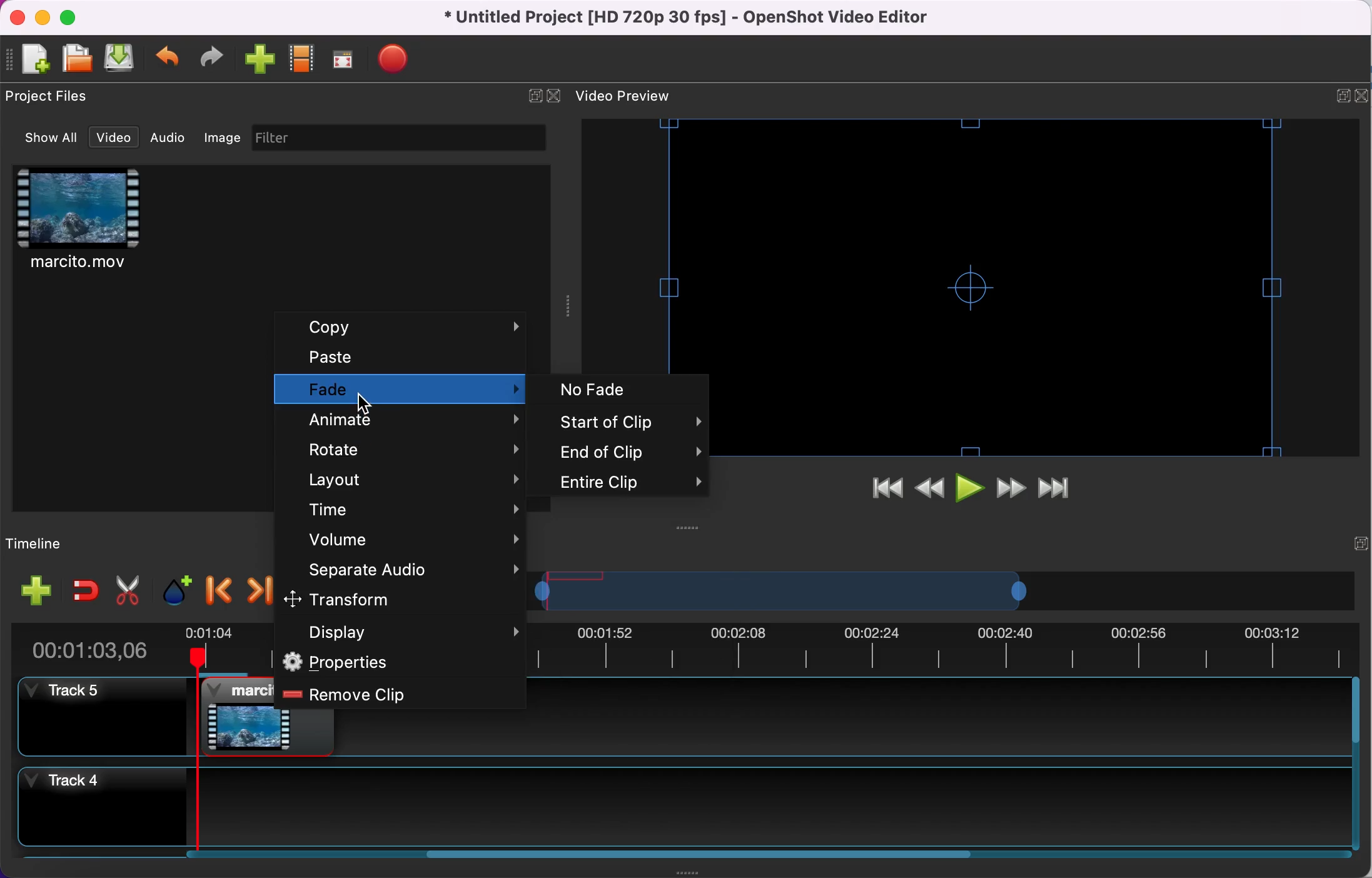  I want to click on add marker, so click(173, 590).